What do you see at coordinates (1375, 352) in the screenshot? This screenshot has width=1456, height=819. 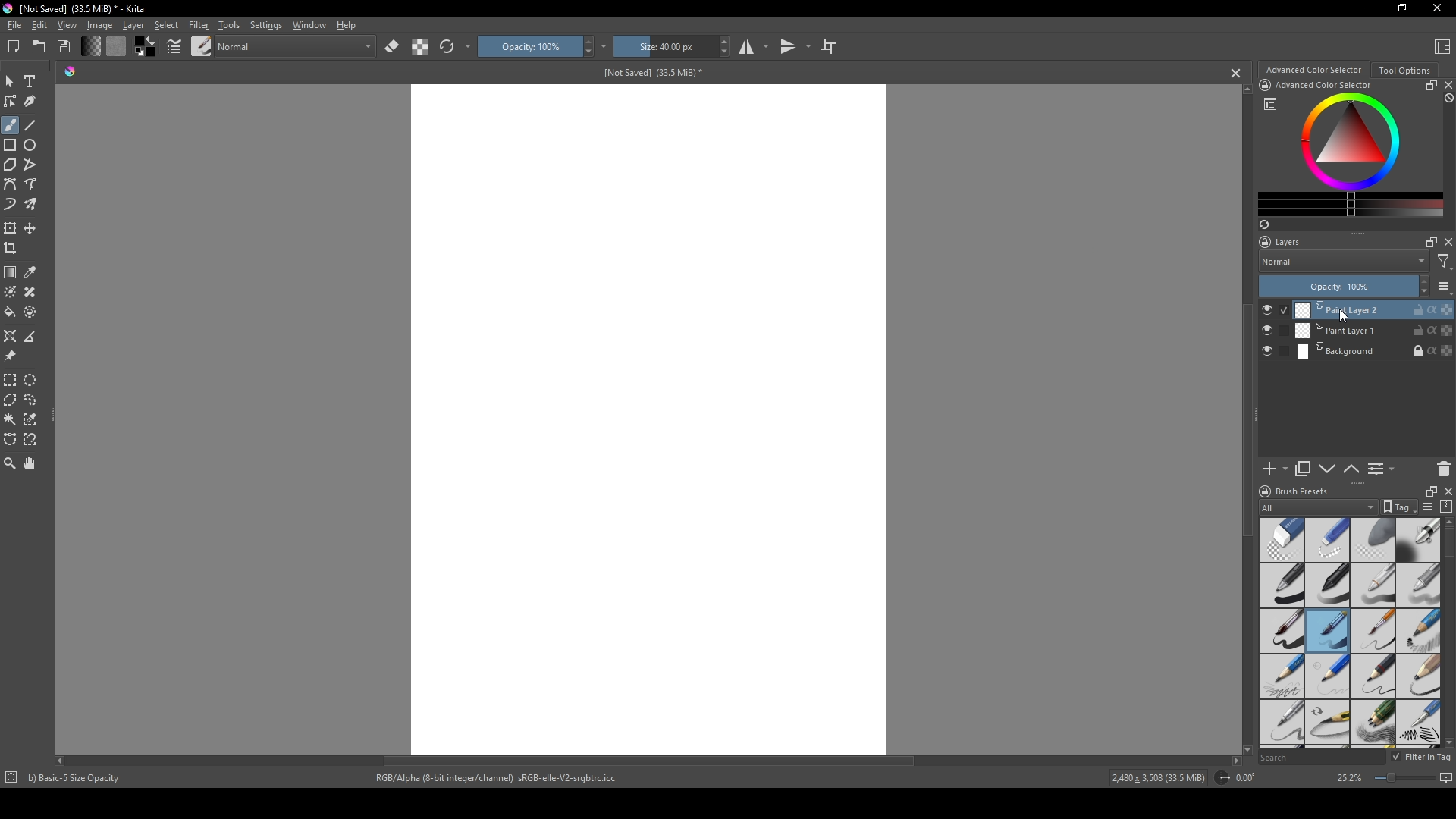 I see `Background` at bounding box center [1375, 352].